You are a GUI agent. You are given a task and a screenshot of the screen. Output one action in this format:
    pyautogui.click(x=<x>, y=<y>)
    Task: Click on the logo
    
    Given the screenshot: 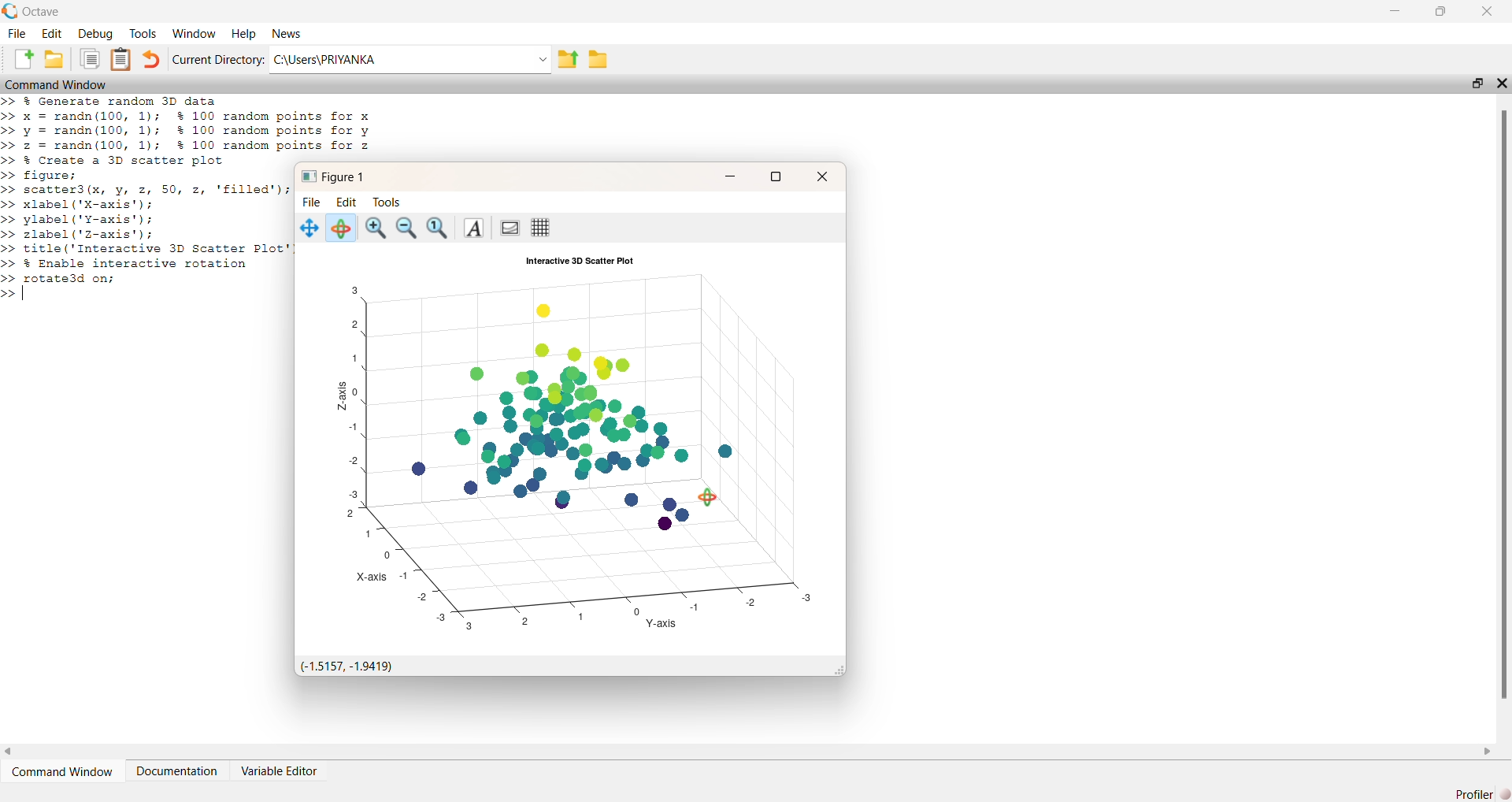 What is the action you would take?
    pyautogui.click(x=10, y=11)
    